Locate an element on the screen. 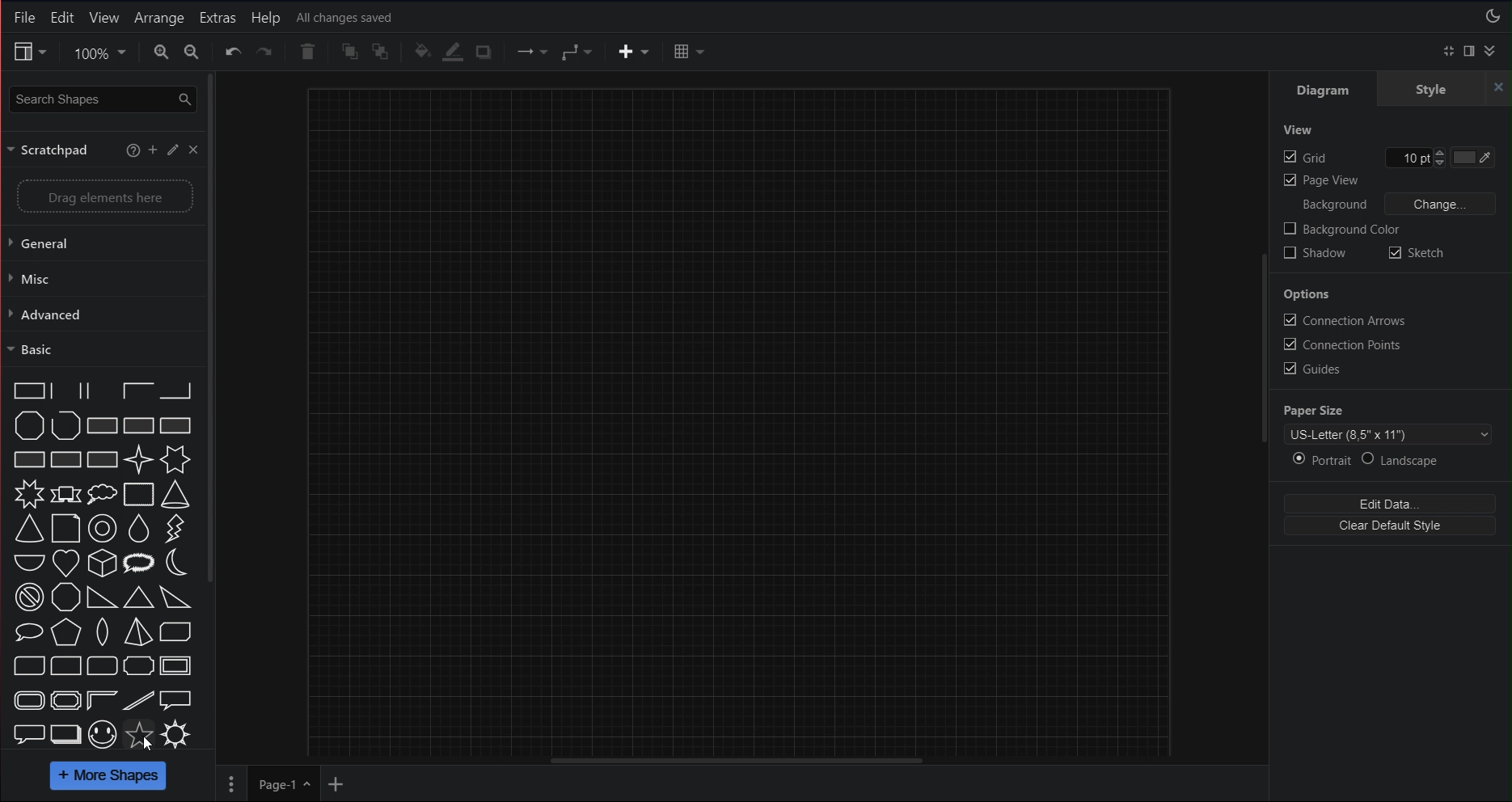  rounded rectangular callout is located at coordinates (28, 732).